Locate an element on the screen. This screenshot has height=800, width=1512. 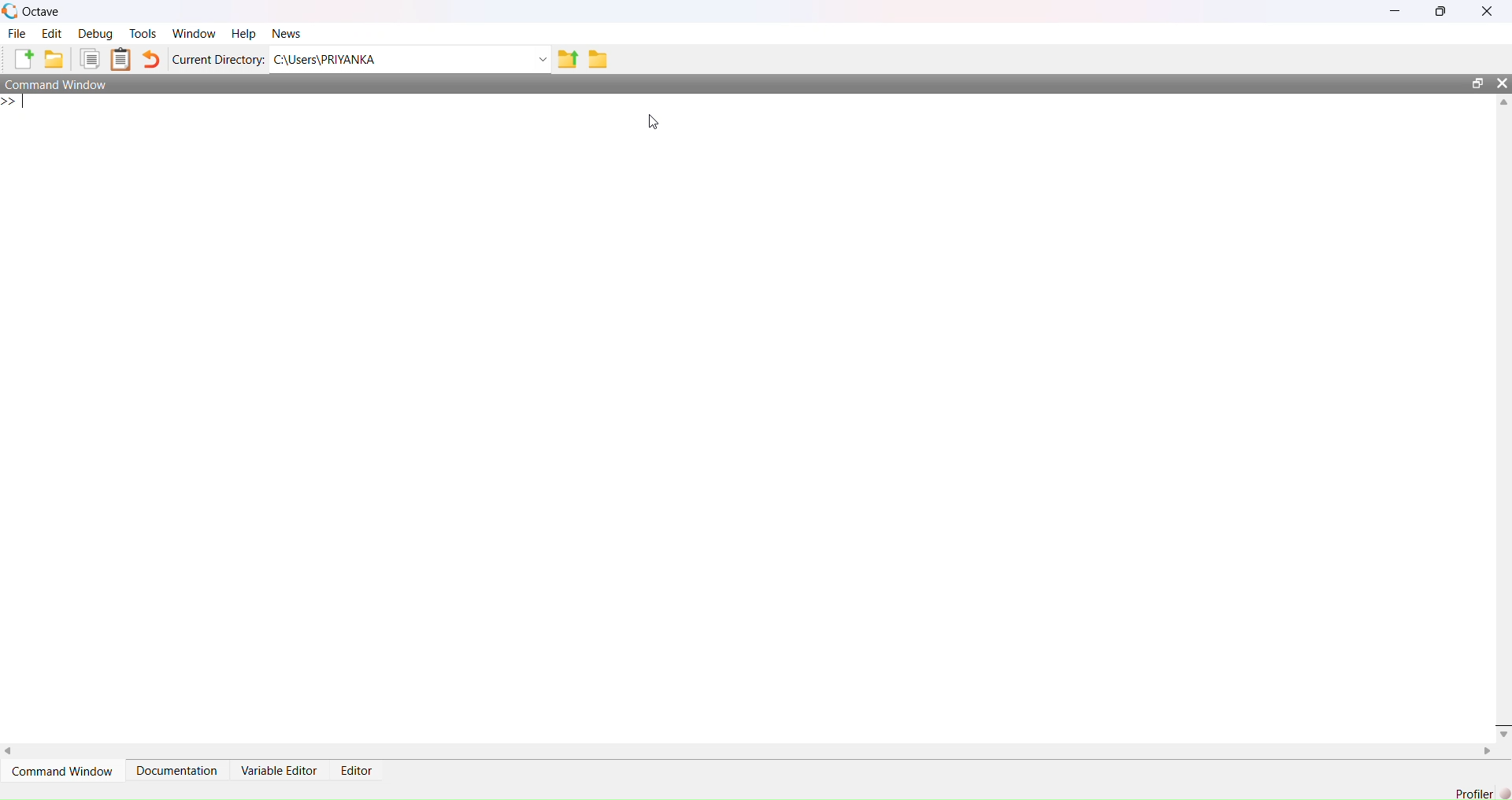
C:\Users\Priyanka is located at coordinates (410, 58).